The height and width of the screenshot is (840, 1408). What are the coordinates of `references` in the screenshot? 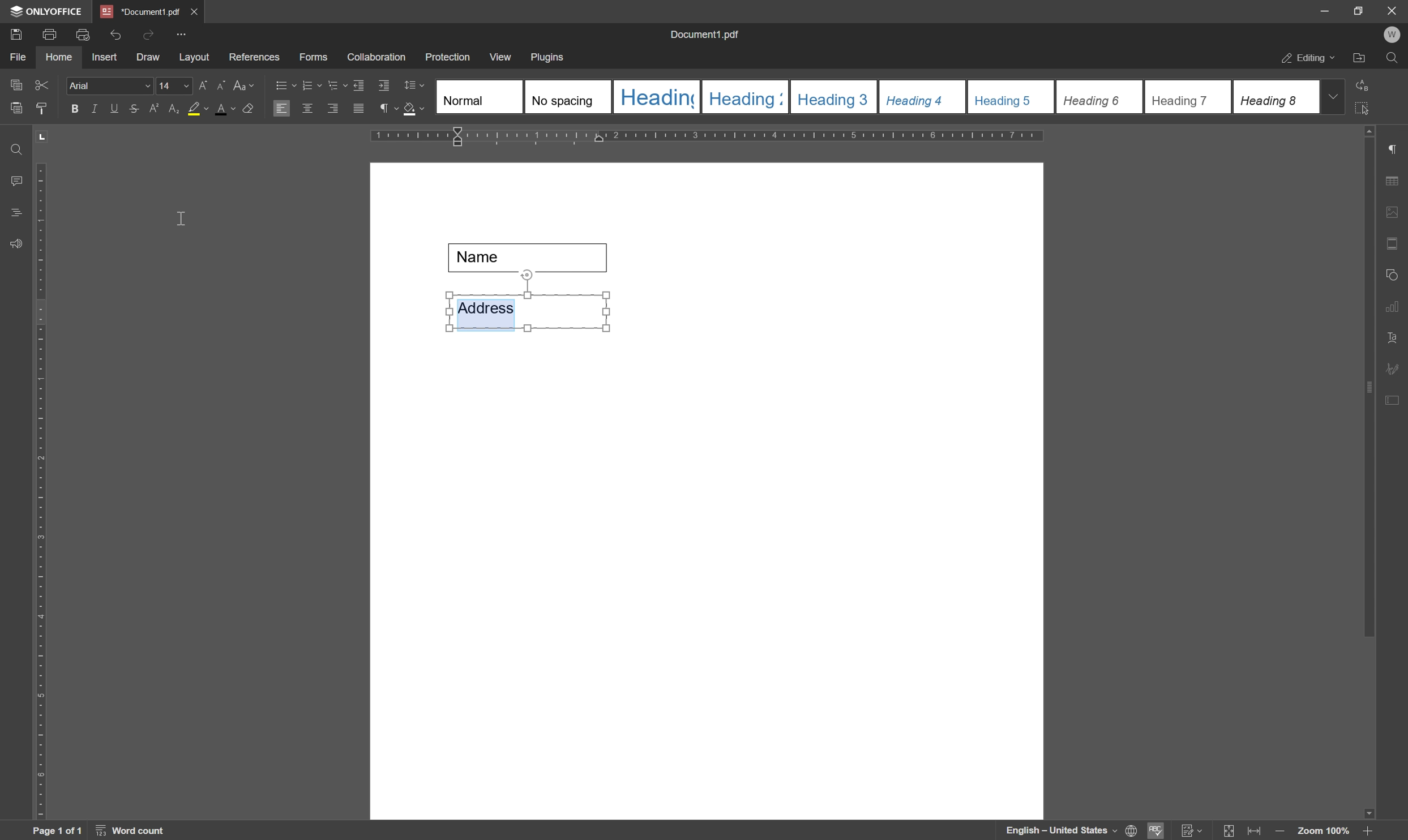 It's located at (254, 57).